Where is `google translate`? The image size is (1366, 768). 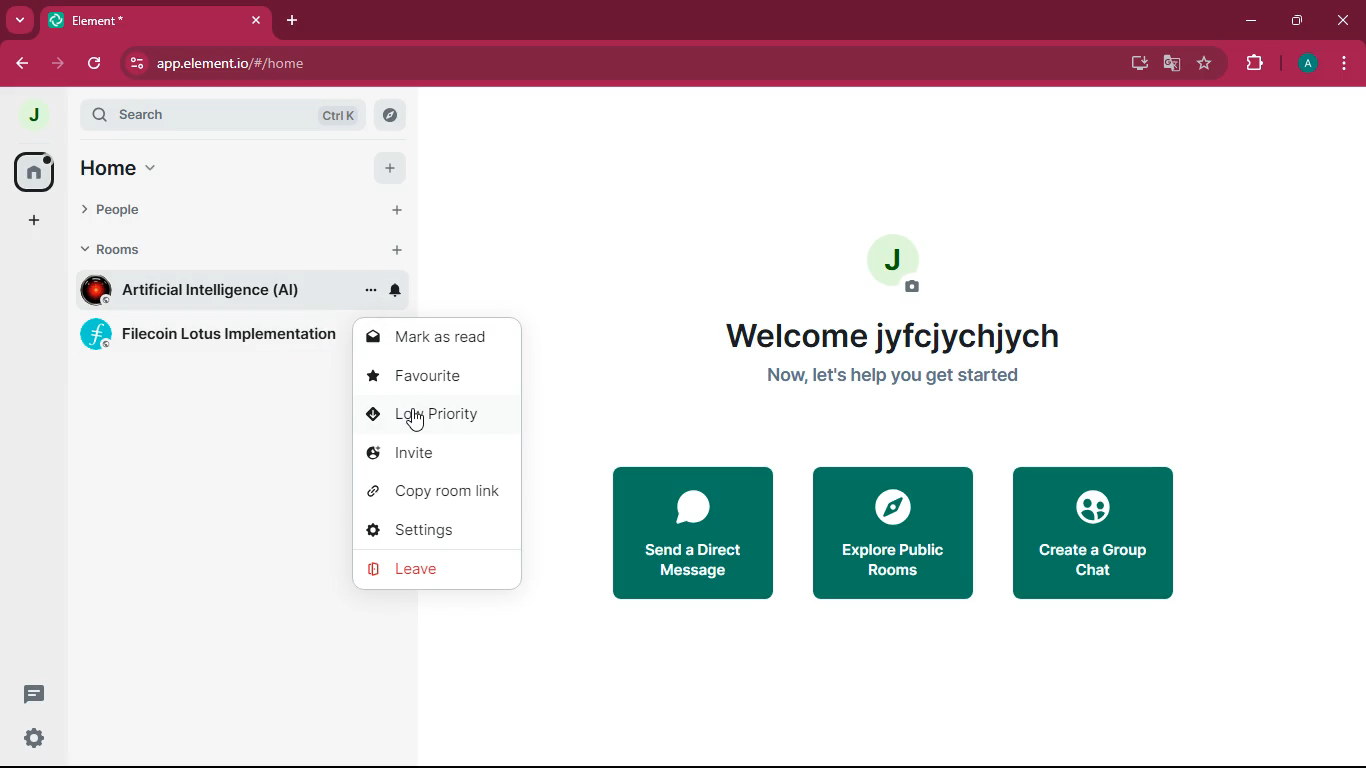
google translate is located at coordinates (1170, 65).